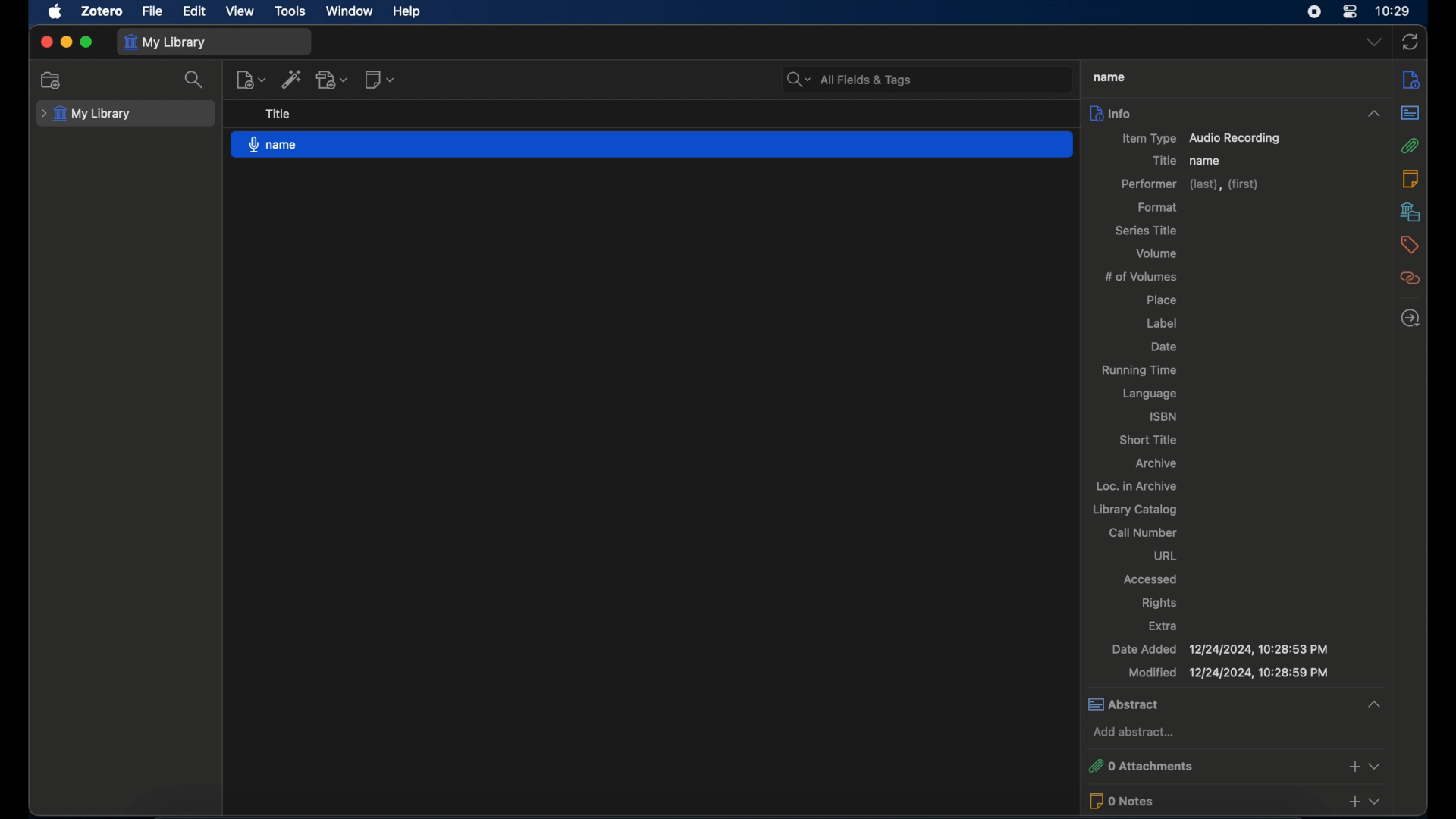 This screenshot has height=819, width=1456. Describe the element at coordinates (1162, 161) in the screenshot. I see `title` at that location.